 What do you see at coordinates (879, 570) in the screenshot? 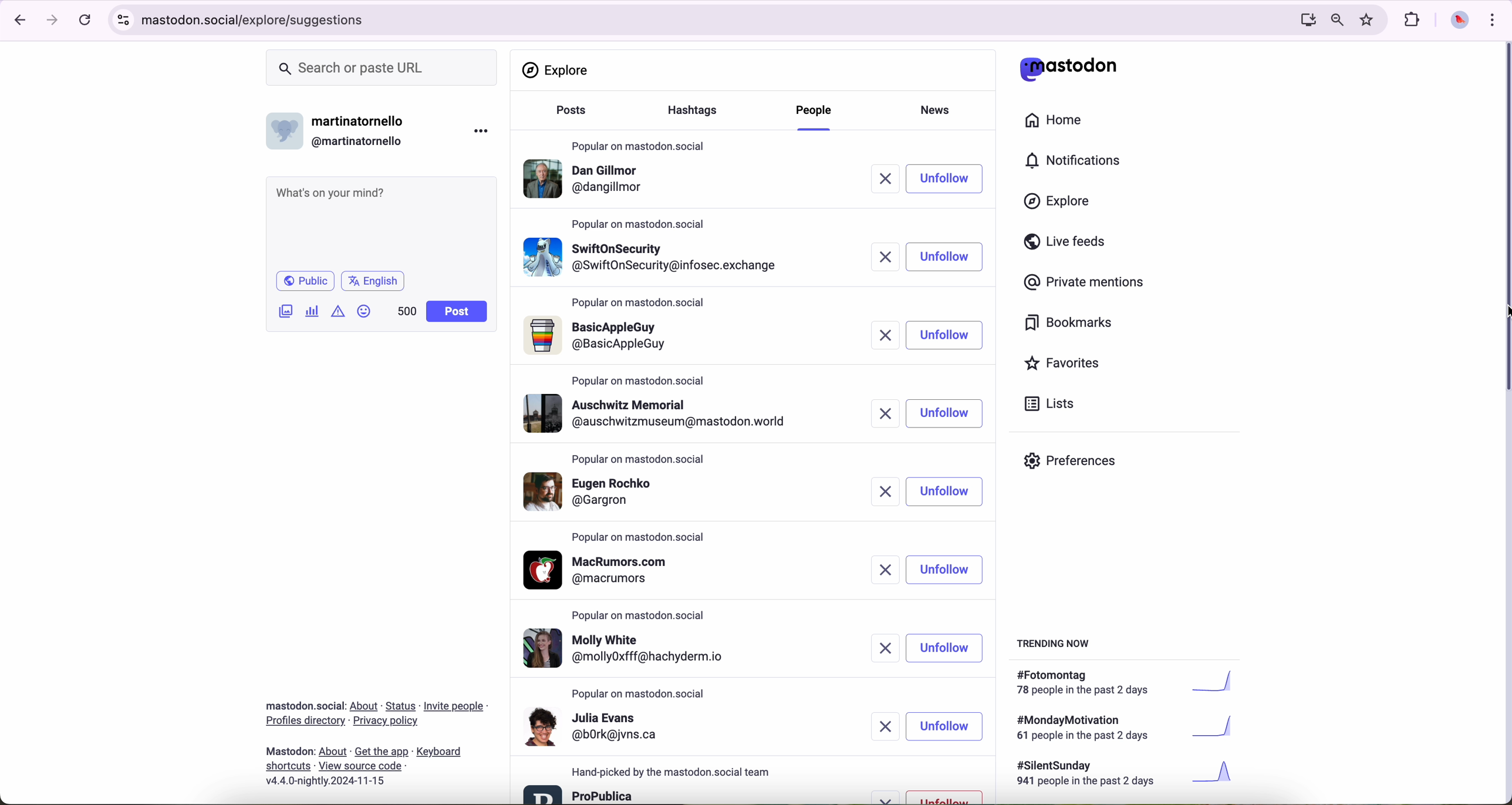
I see `remove` at bounding box center [879, 570].